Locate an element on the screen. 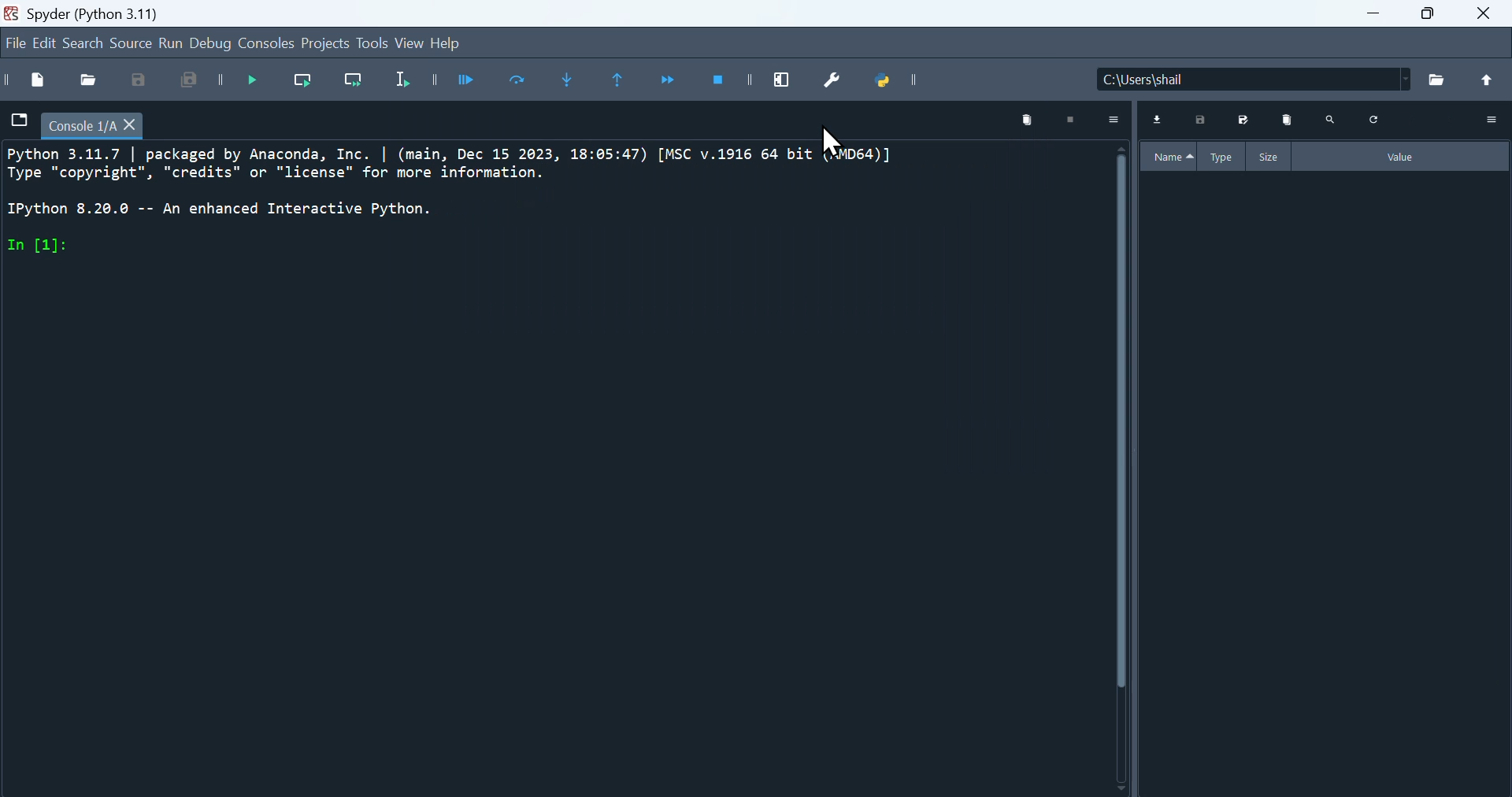  maximise current window is located at coordinates (787, 78).